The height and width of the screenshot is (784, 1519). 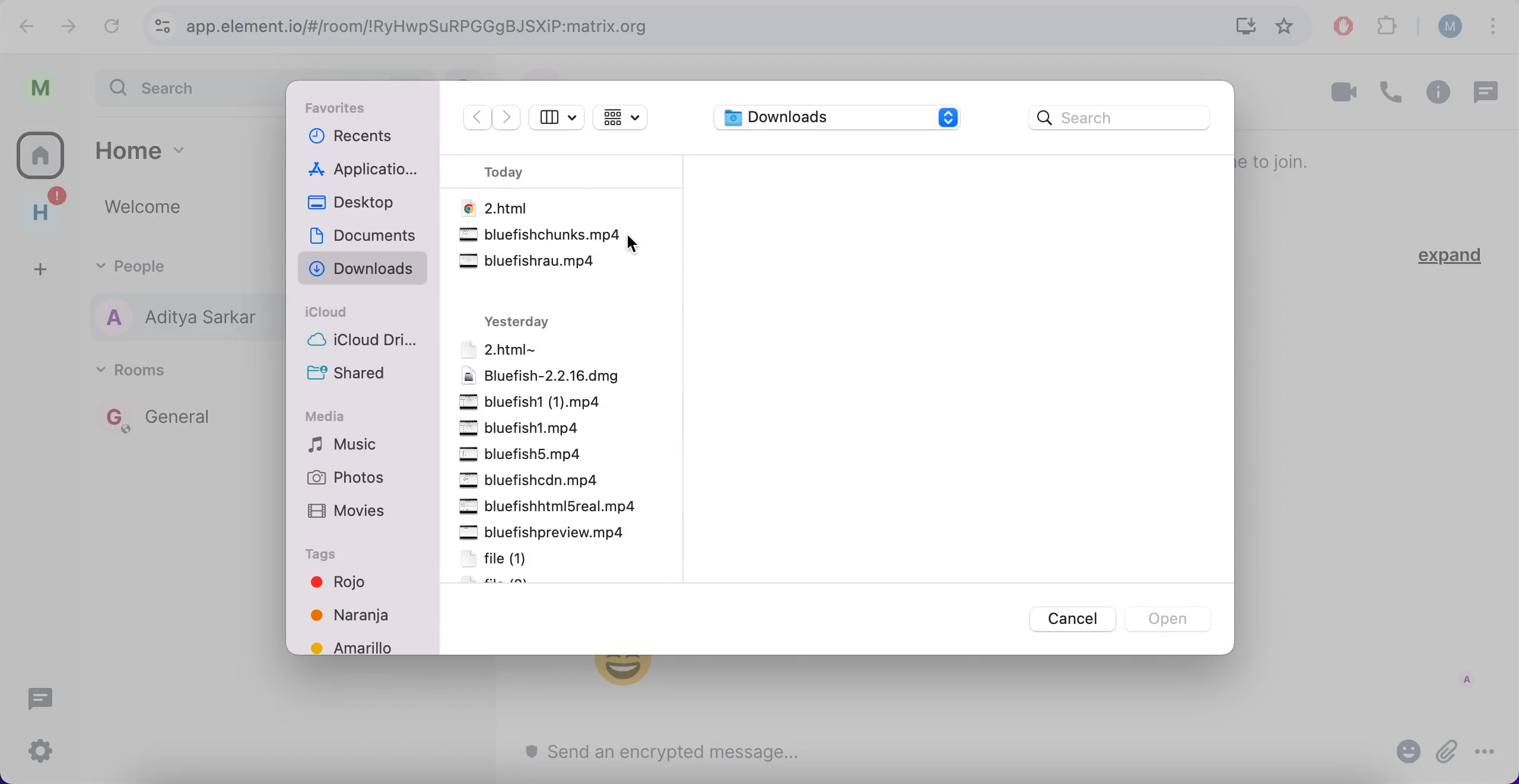 I want to click on add, so click(x=44, y=263).